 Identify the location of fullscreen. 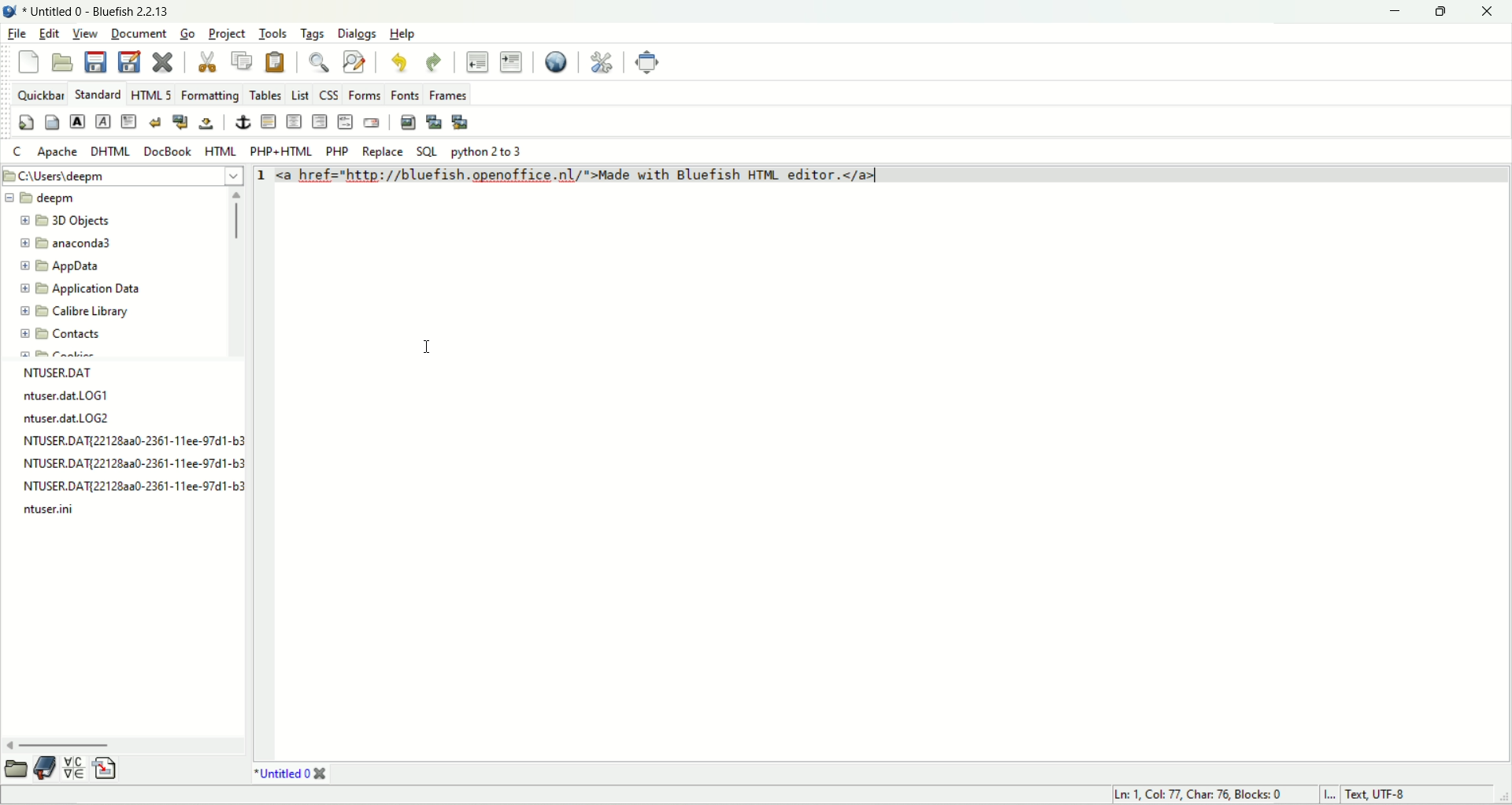
(645, 62).